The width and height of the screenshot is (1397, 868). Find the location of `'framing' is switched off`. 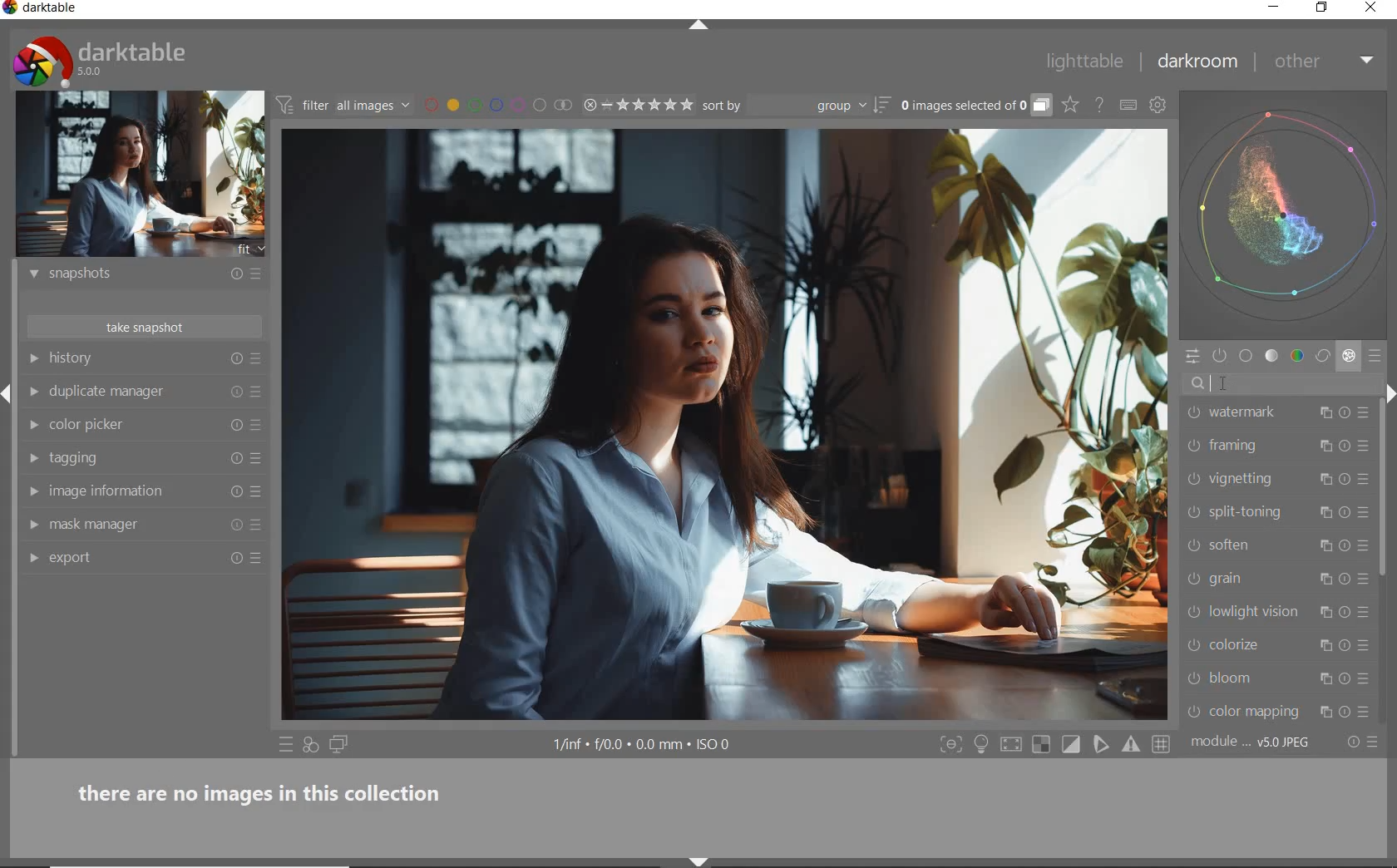

'framing' is switched off is located at coordinates (1193, 446).